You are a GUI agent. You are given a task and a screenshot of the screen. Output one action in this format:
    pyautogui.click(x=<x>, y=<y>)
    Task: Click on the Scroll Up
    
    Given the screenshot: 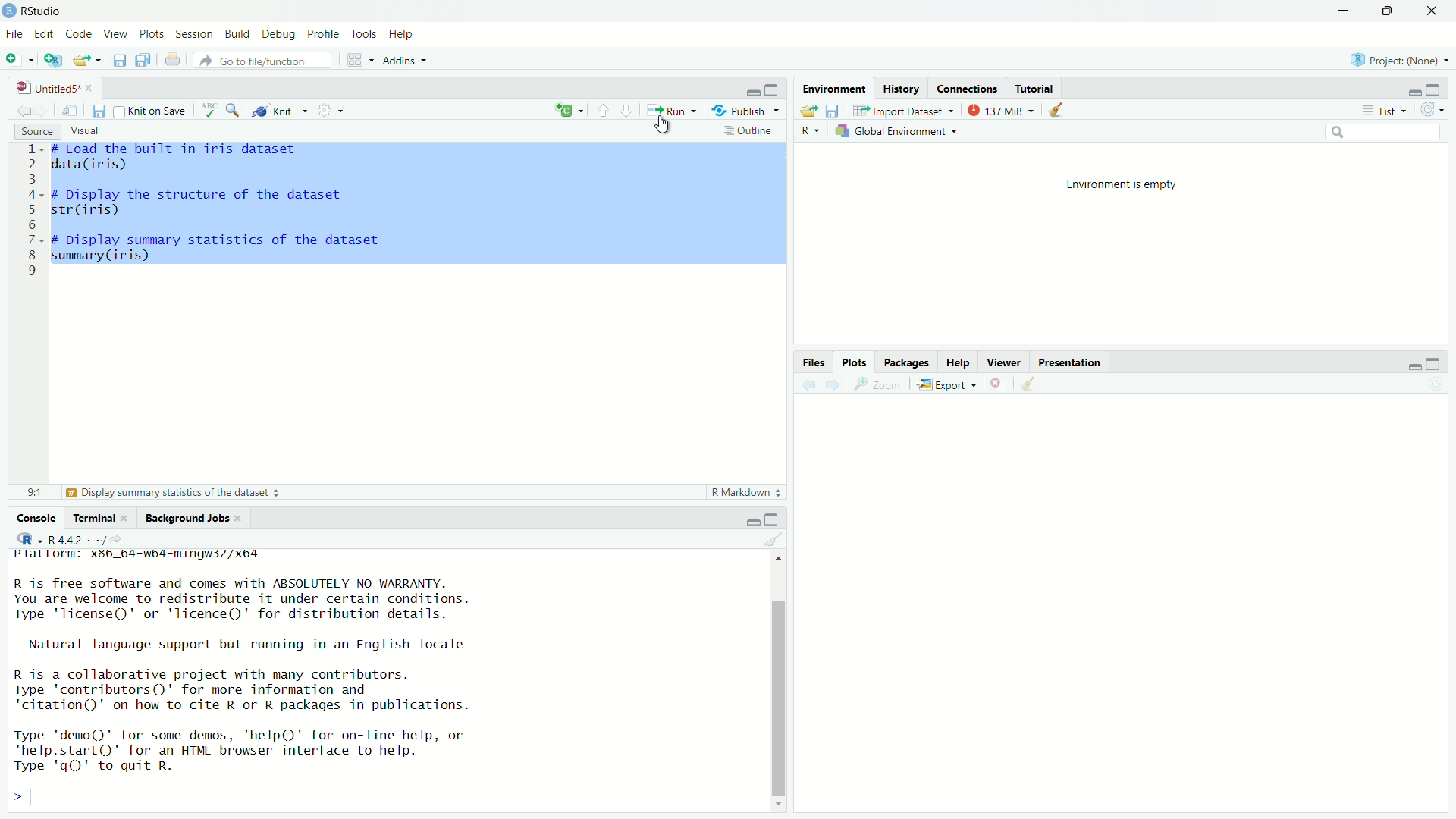 What is the action you would take?
    pyautogui.click(x=781, y=557)
    